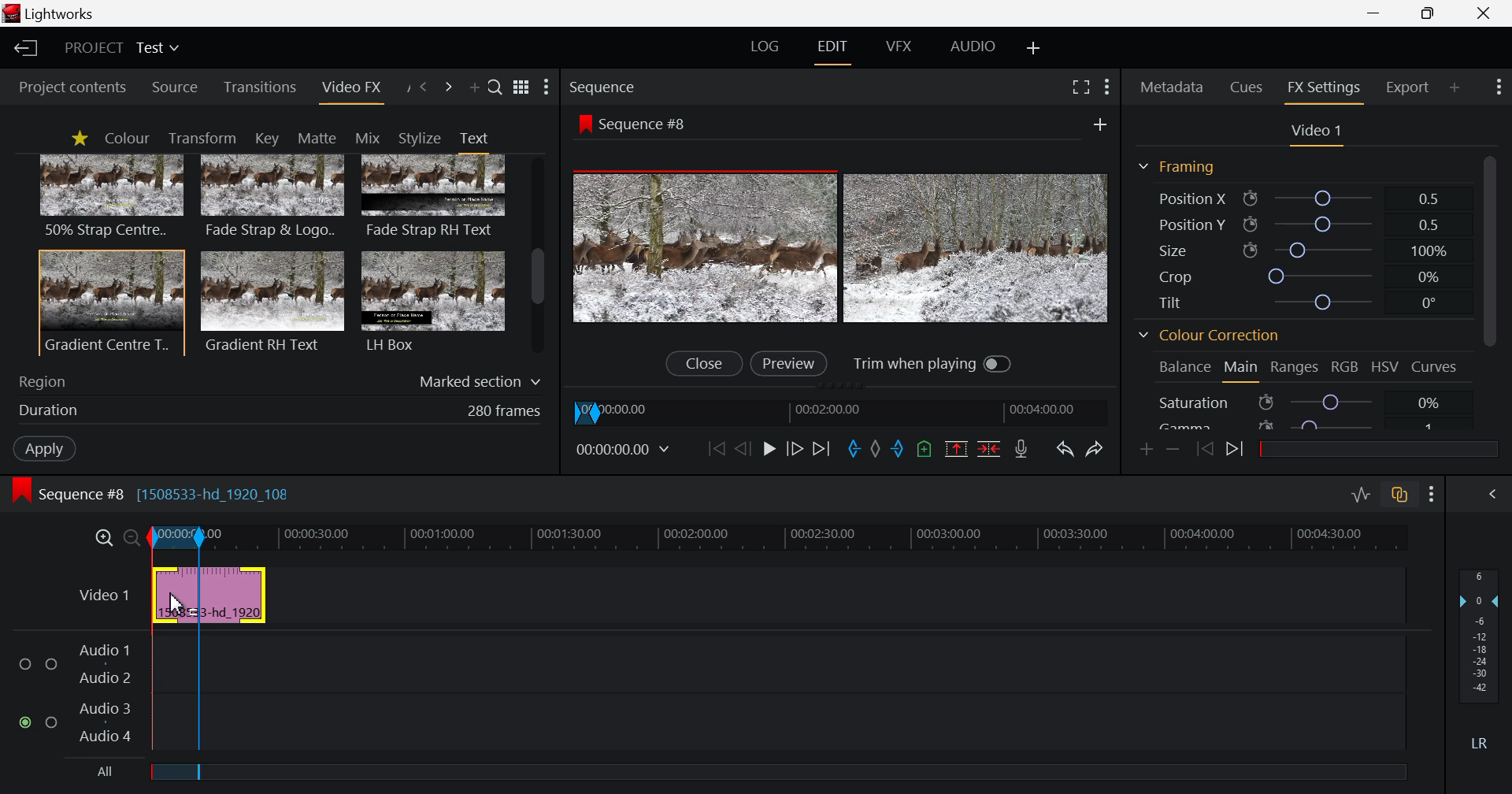 This screenshot has width=1512, height=794. What do you see at coordinates (547, 88) in the screenshot?
I see `Show Settings` at bounding box center [547, 88].